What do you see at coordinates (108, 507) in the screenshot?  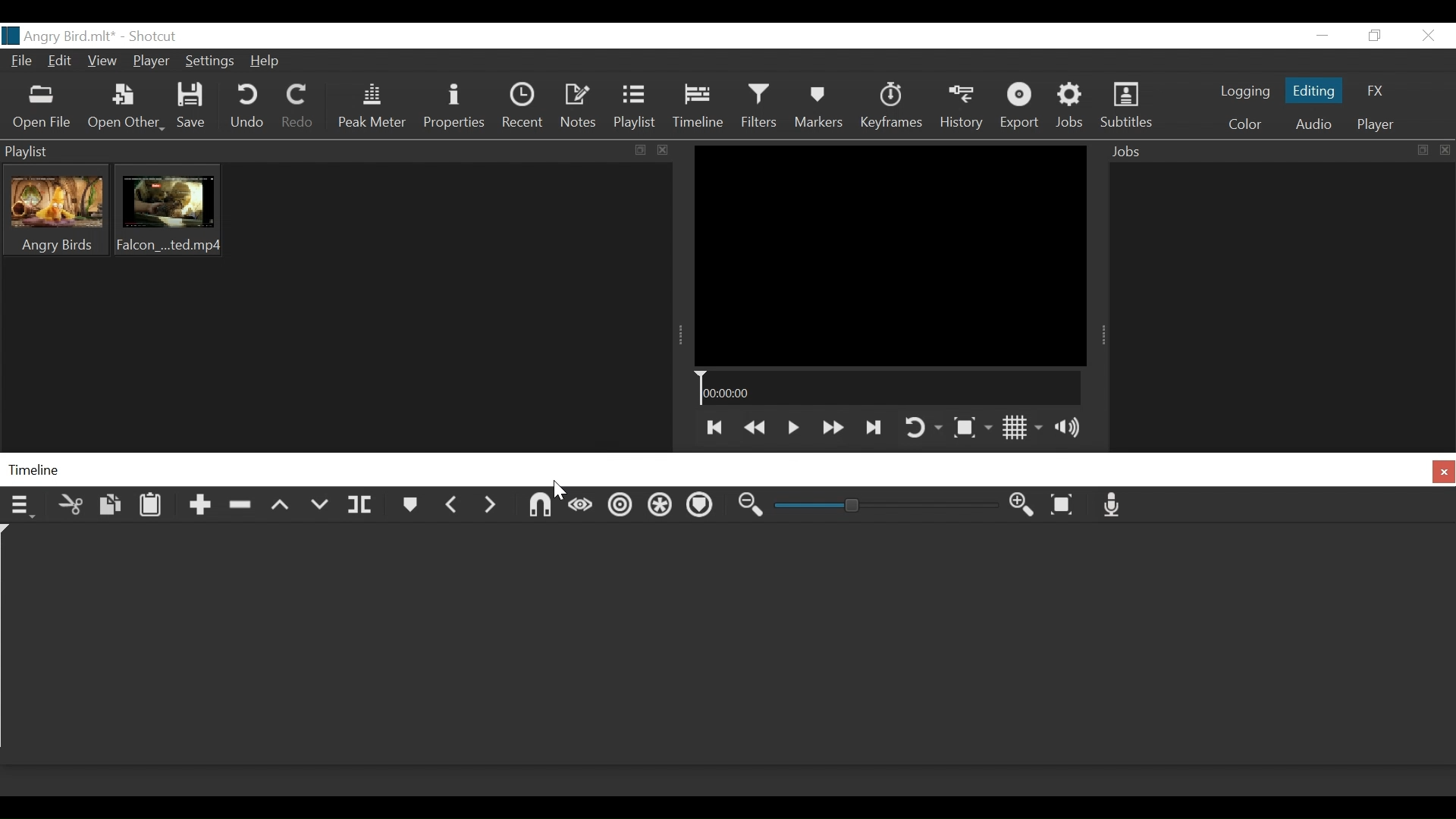 I see `Copy` at bounding box center [108, 507].